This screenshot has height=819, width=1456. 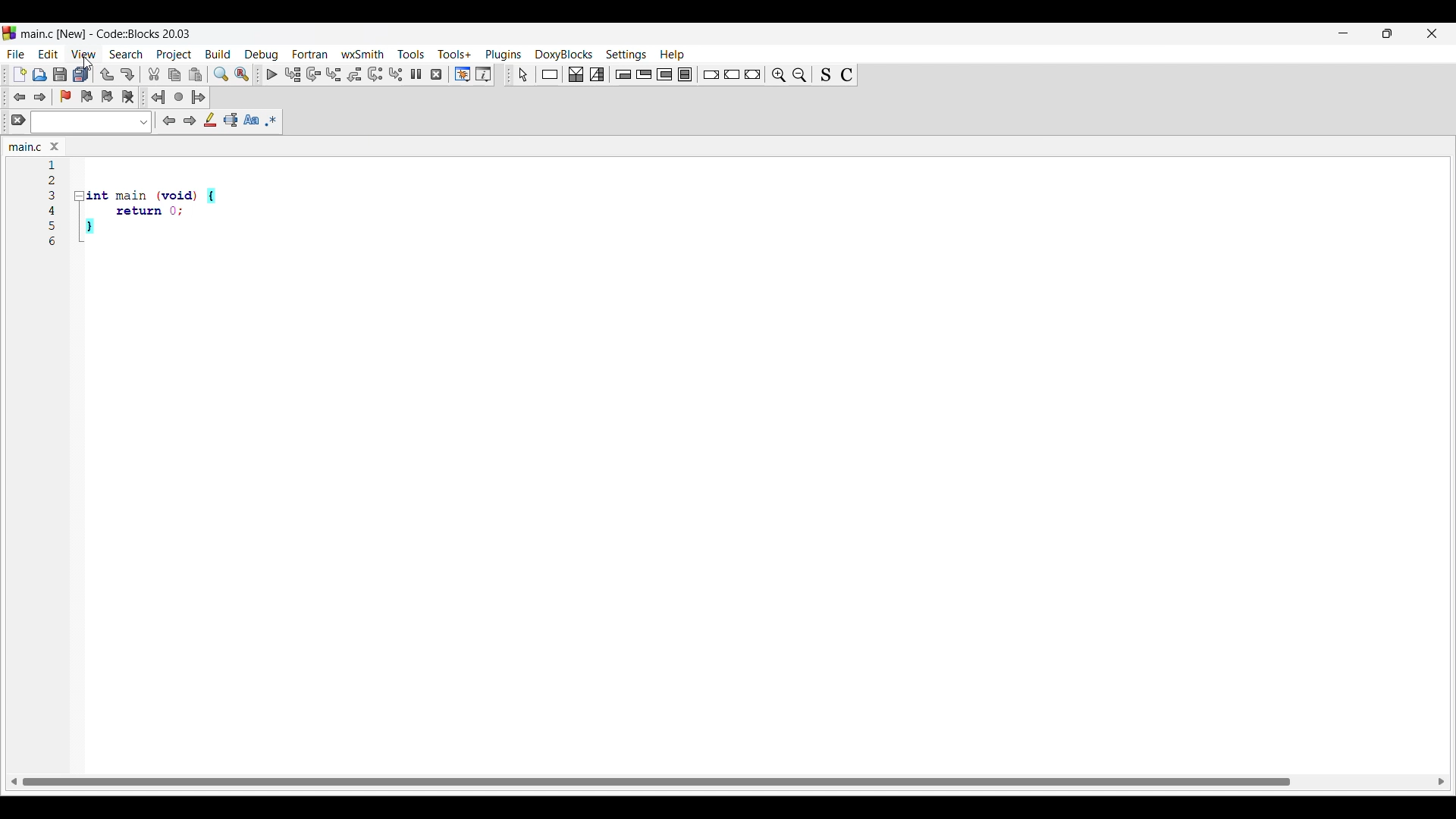 What do you see at coordinates (362, 55) in the screenshot?
I see `wxSmith menu` at bounding box center [362, 55].